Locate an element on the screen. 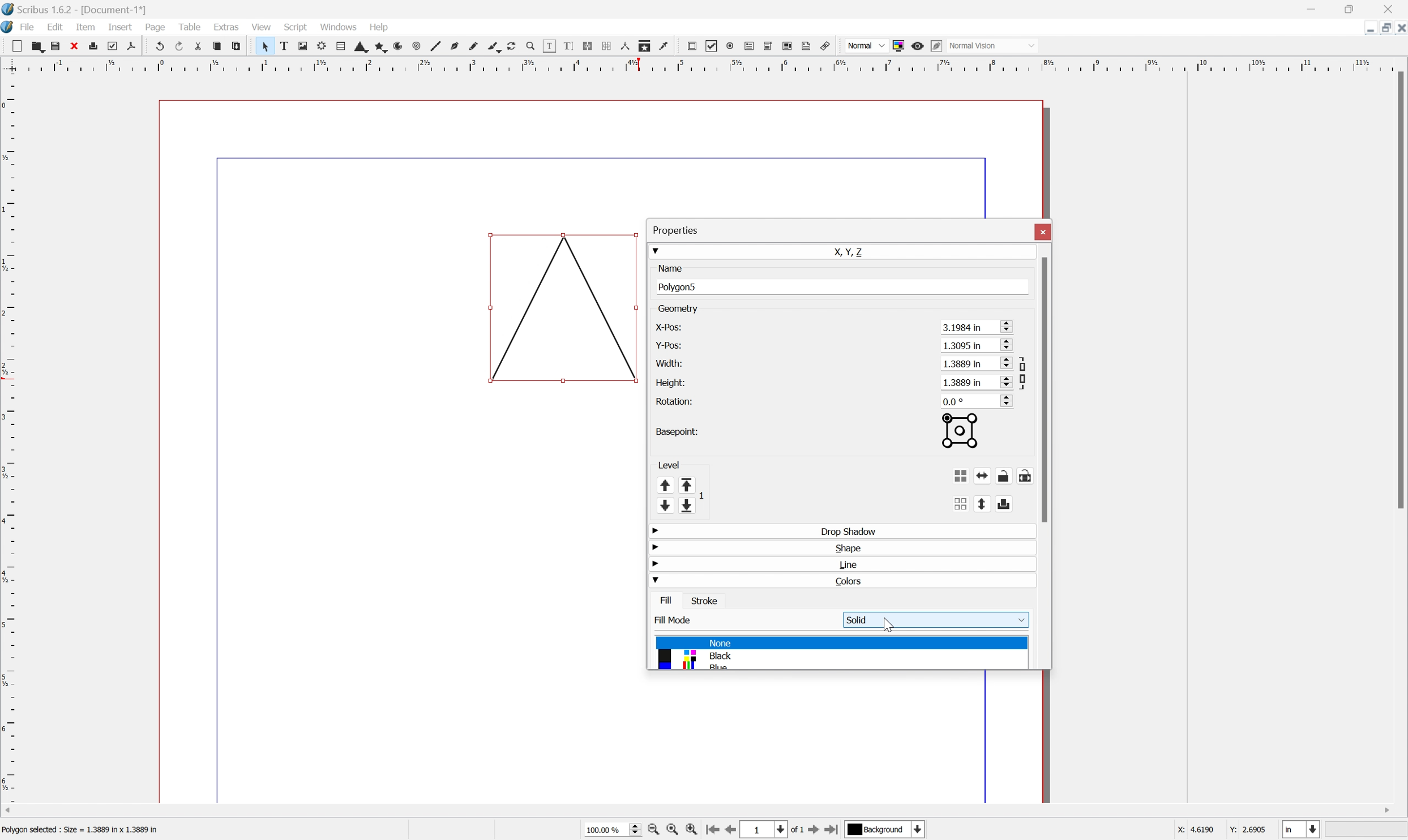  X: 4.6190 is located at coordinates (1192, 830).